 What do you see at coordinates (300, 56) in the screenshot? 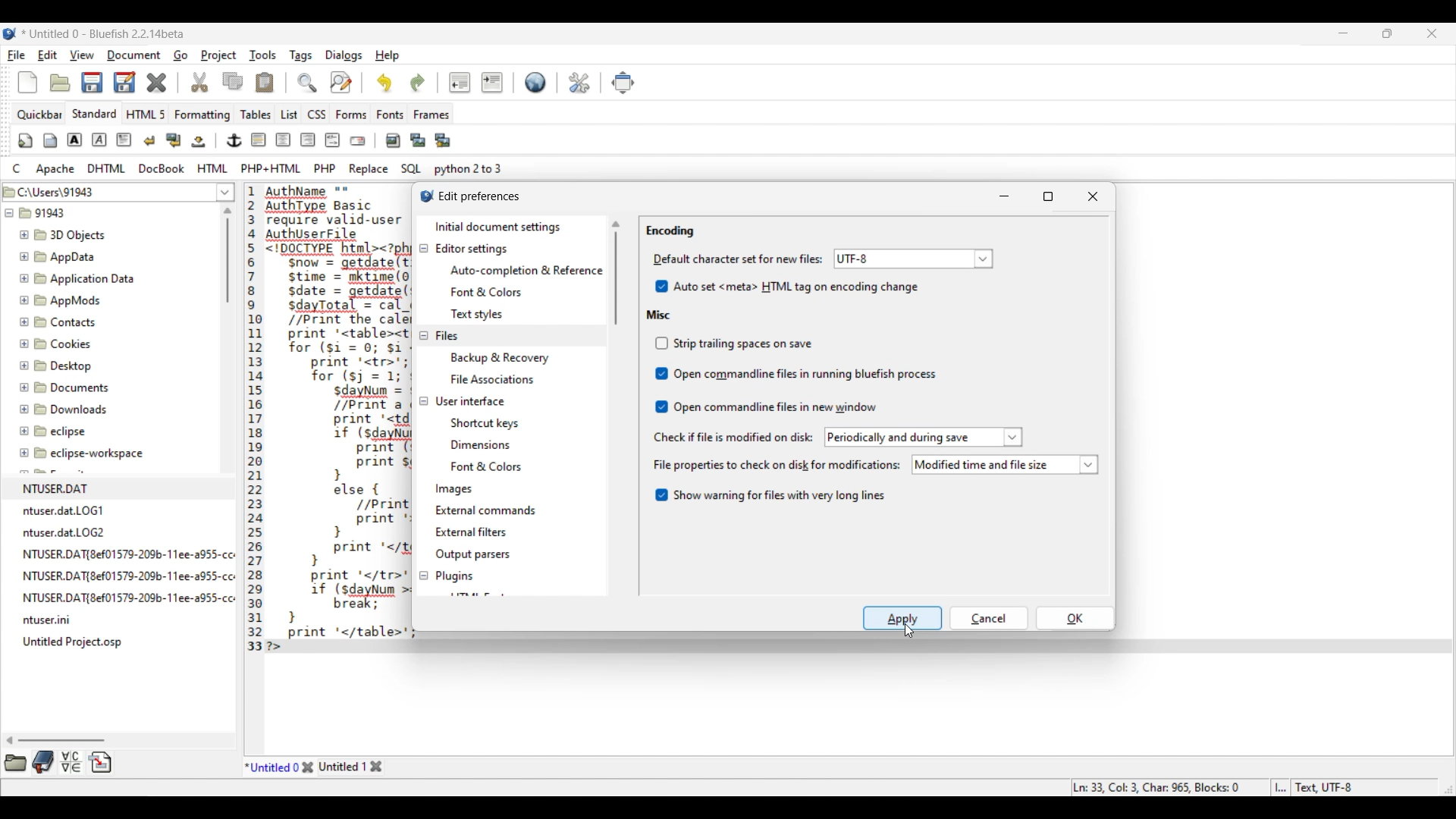
I see `Tags menu` at bounding box center [300, 56].